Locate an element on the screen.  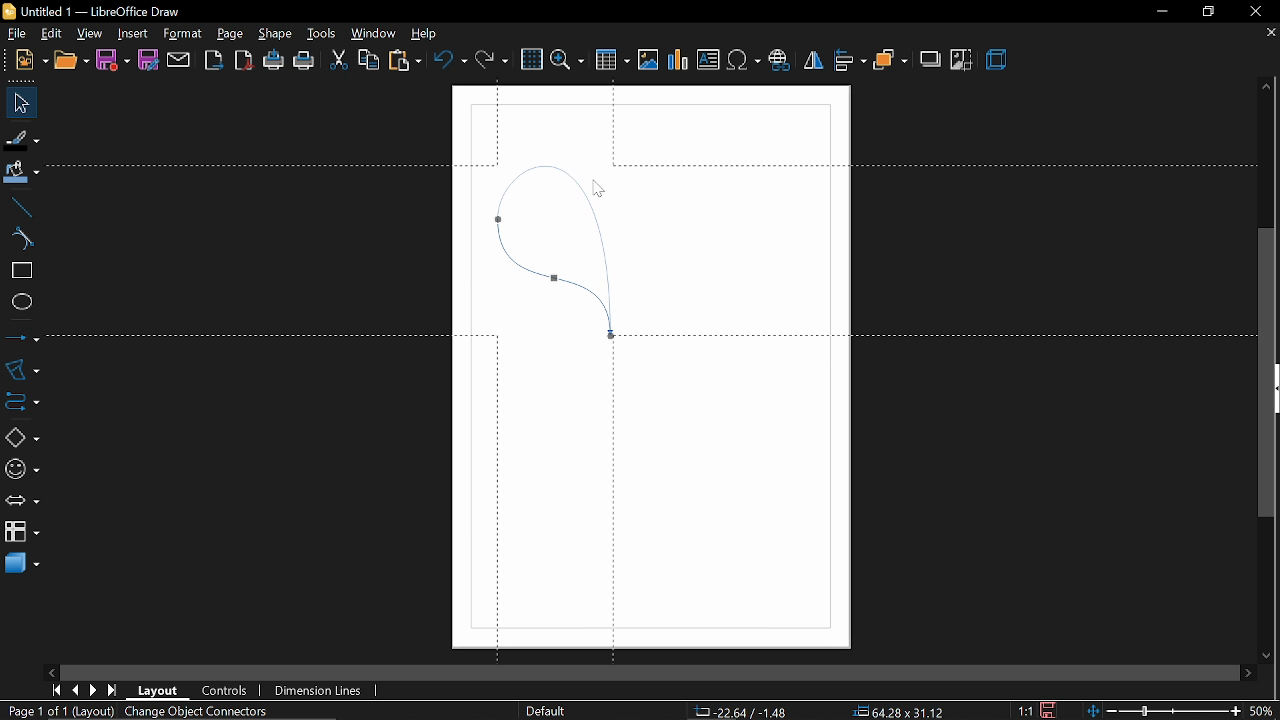
flip is located at coordinates (812, 61).